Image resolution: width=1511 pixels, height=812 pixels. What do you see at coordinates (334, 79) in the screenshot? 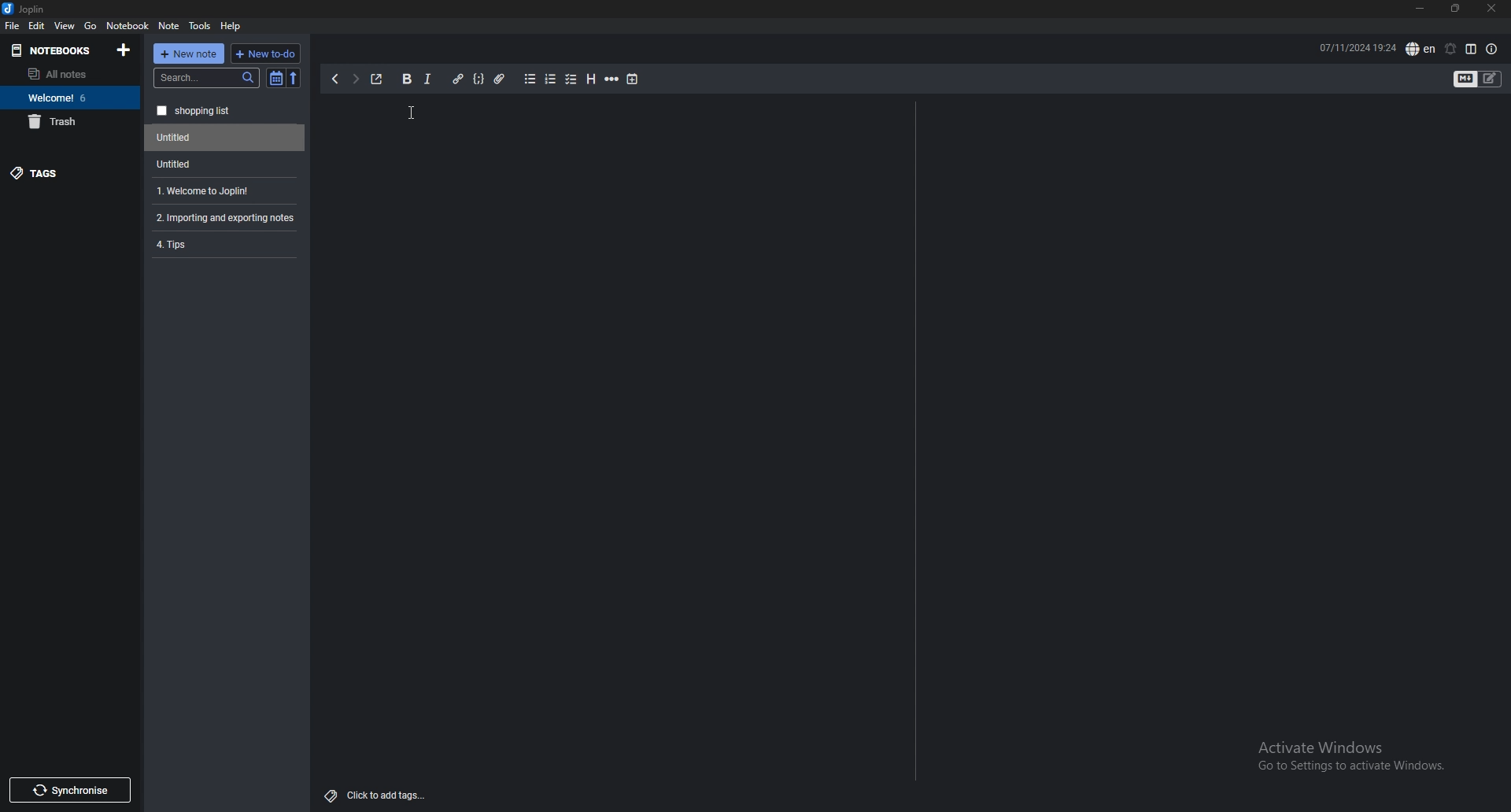
I see `previous` at bounding box center [334, 79].